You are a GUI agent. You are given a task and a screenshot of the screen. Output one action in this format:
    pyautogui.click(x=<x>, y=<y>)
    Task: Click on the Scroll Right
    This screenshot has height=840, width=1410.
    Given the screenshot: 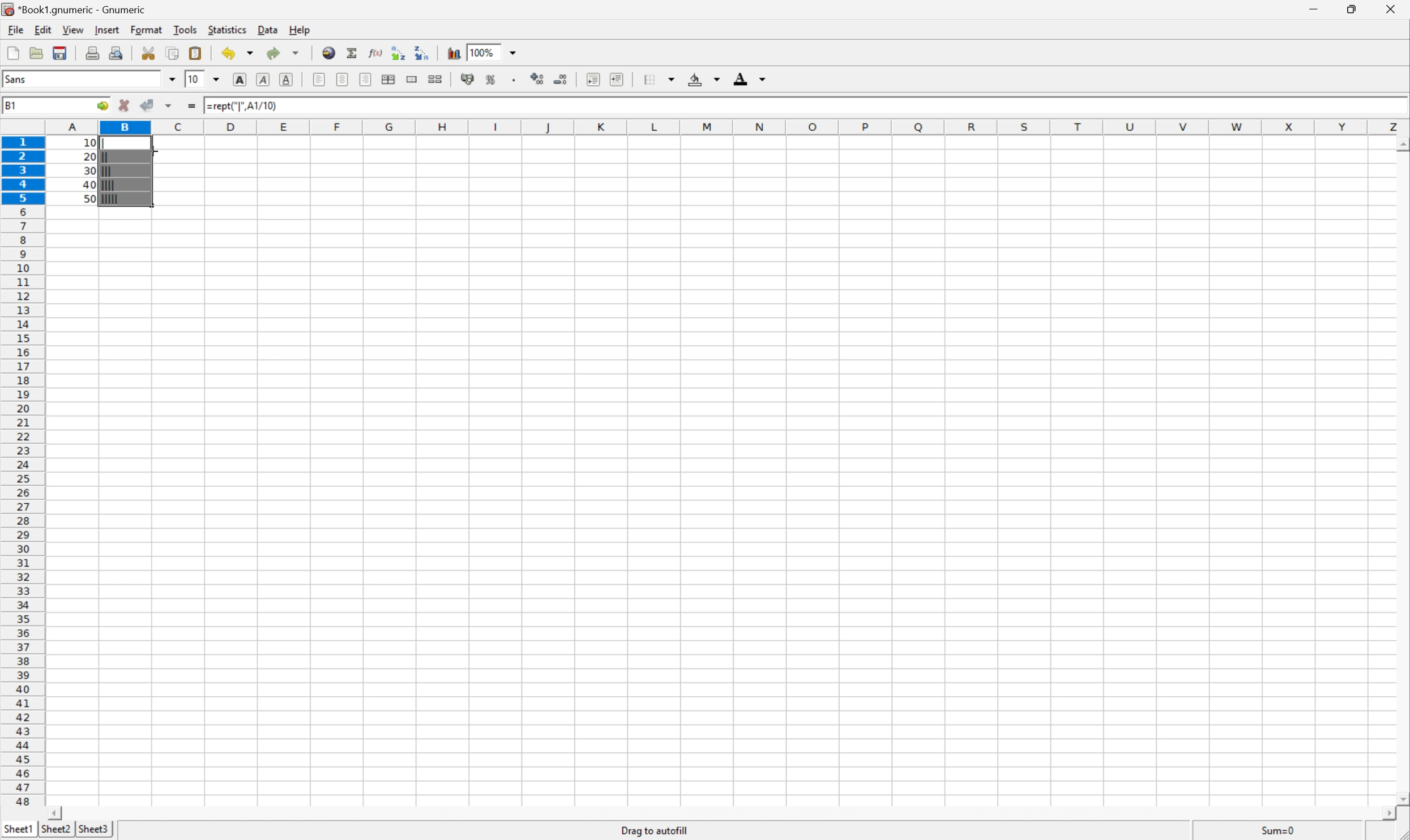 What is the action you would take?
    pyautogui.click(x=1385, y=814)
    